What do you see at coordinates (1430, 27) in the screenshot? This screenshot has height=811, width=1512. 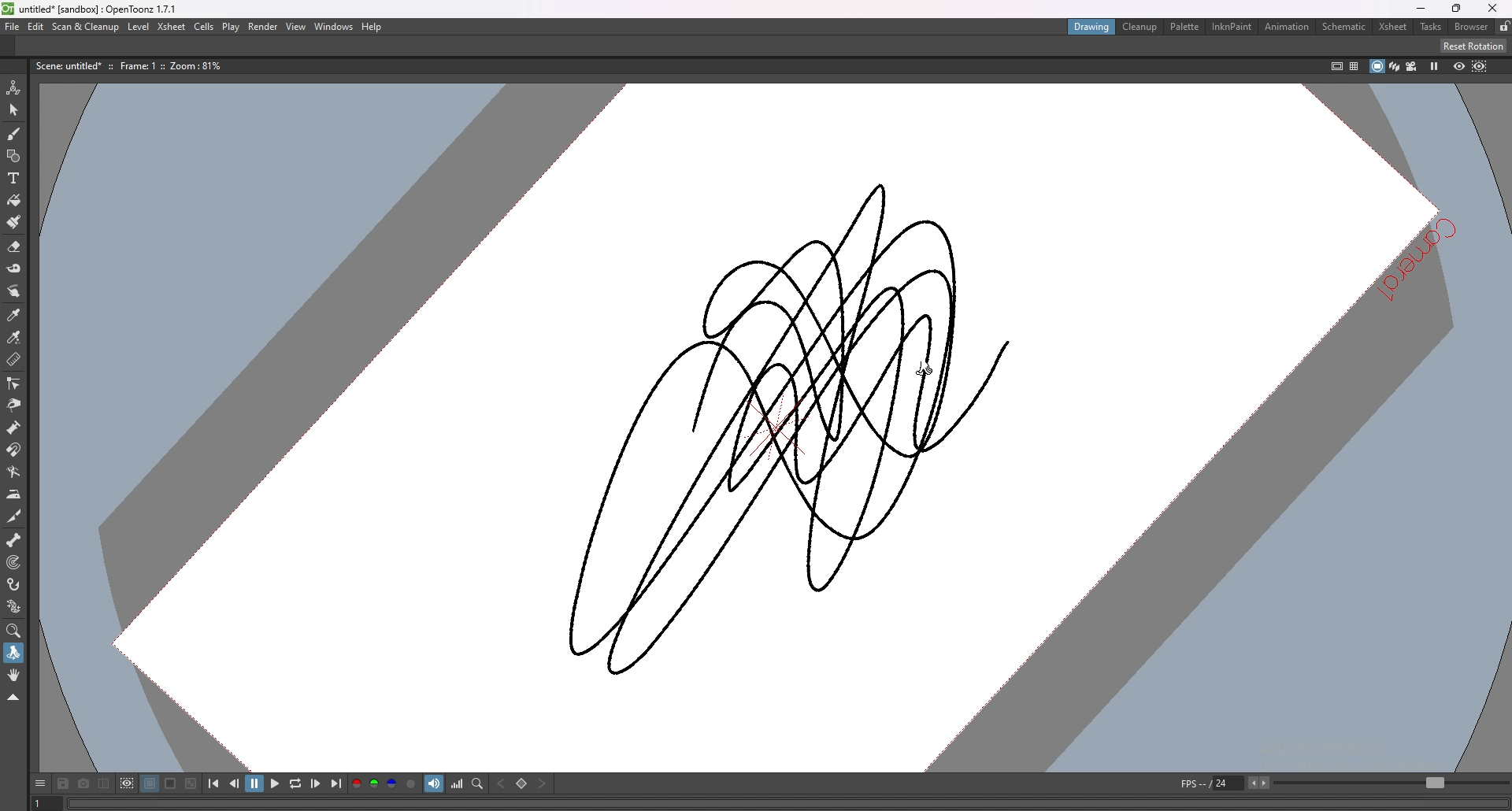 I see `tasks` at bounding box center [1430, 27].